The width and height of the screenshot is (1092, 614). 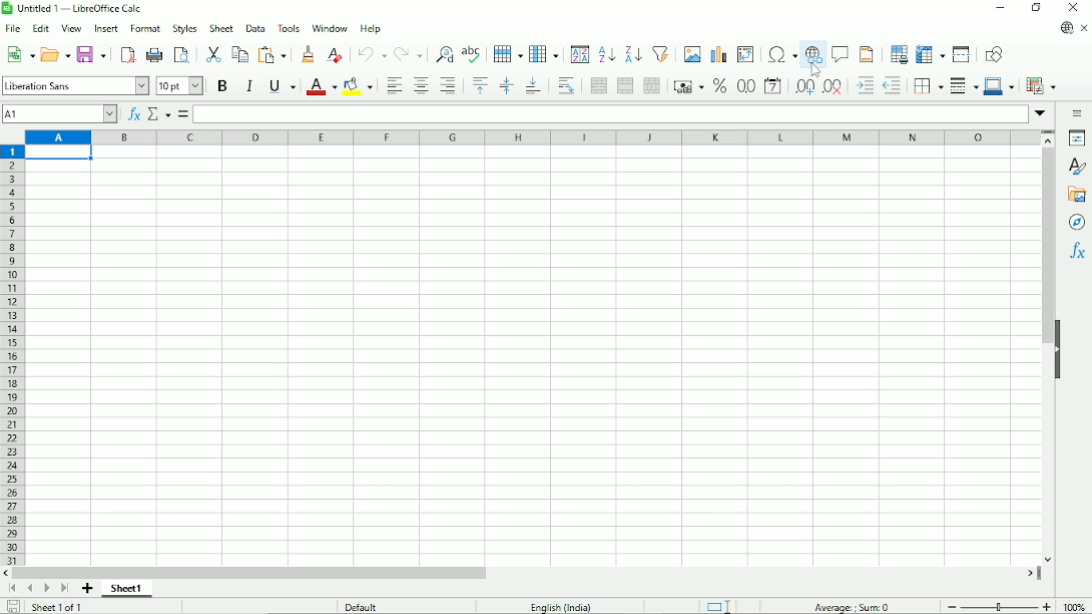 I want to click on Export directly as PDF, so click(x=126, y=53).